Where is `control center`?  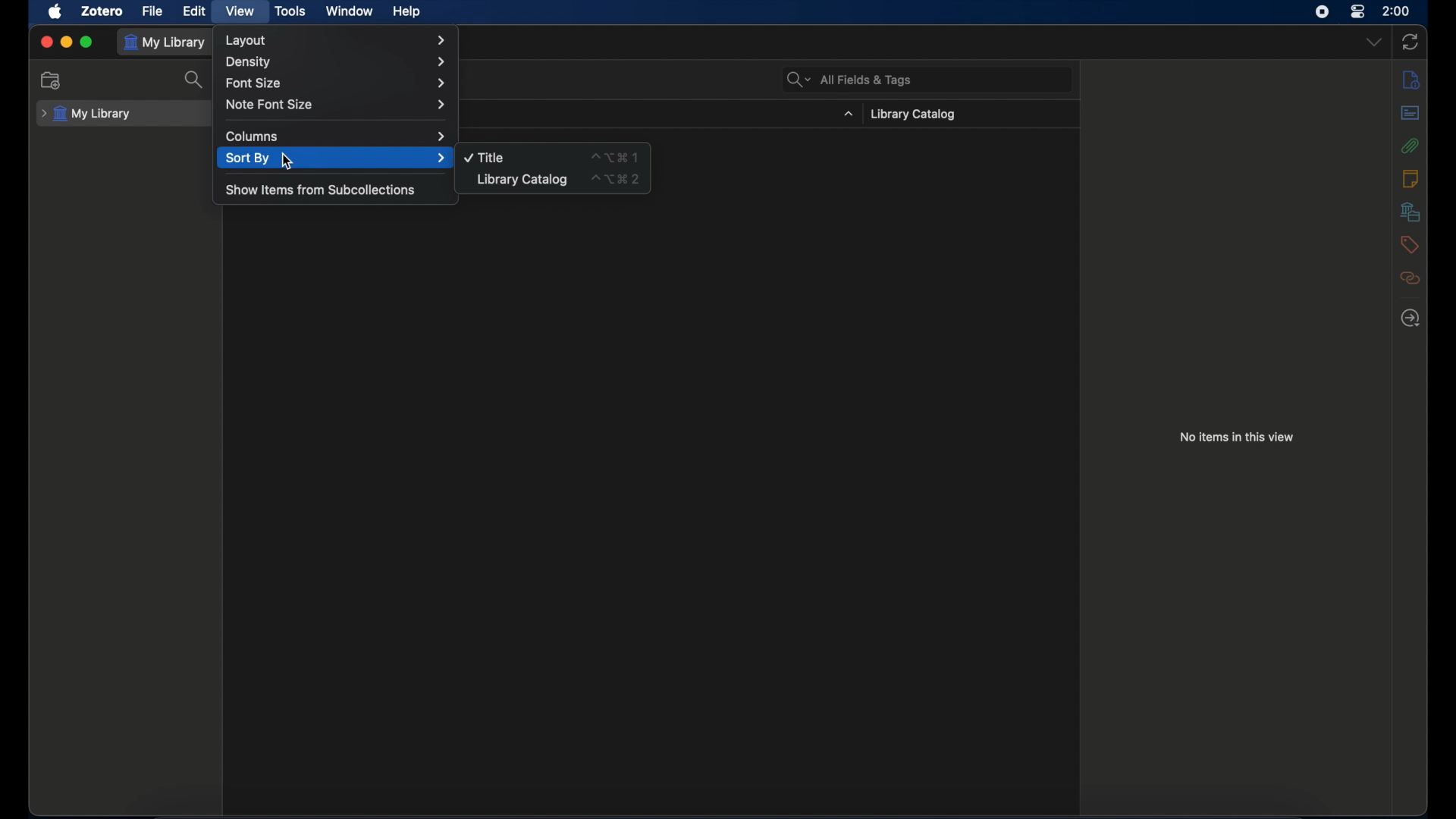 control center is located at coordinates (1359, 11).